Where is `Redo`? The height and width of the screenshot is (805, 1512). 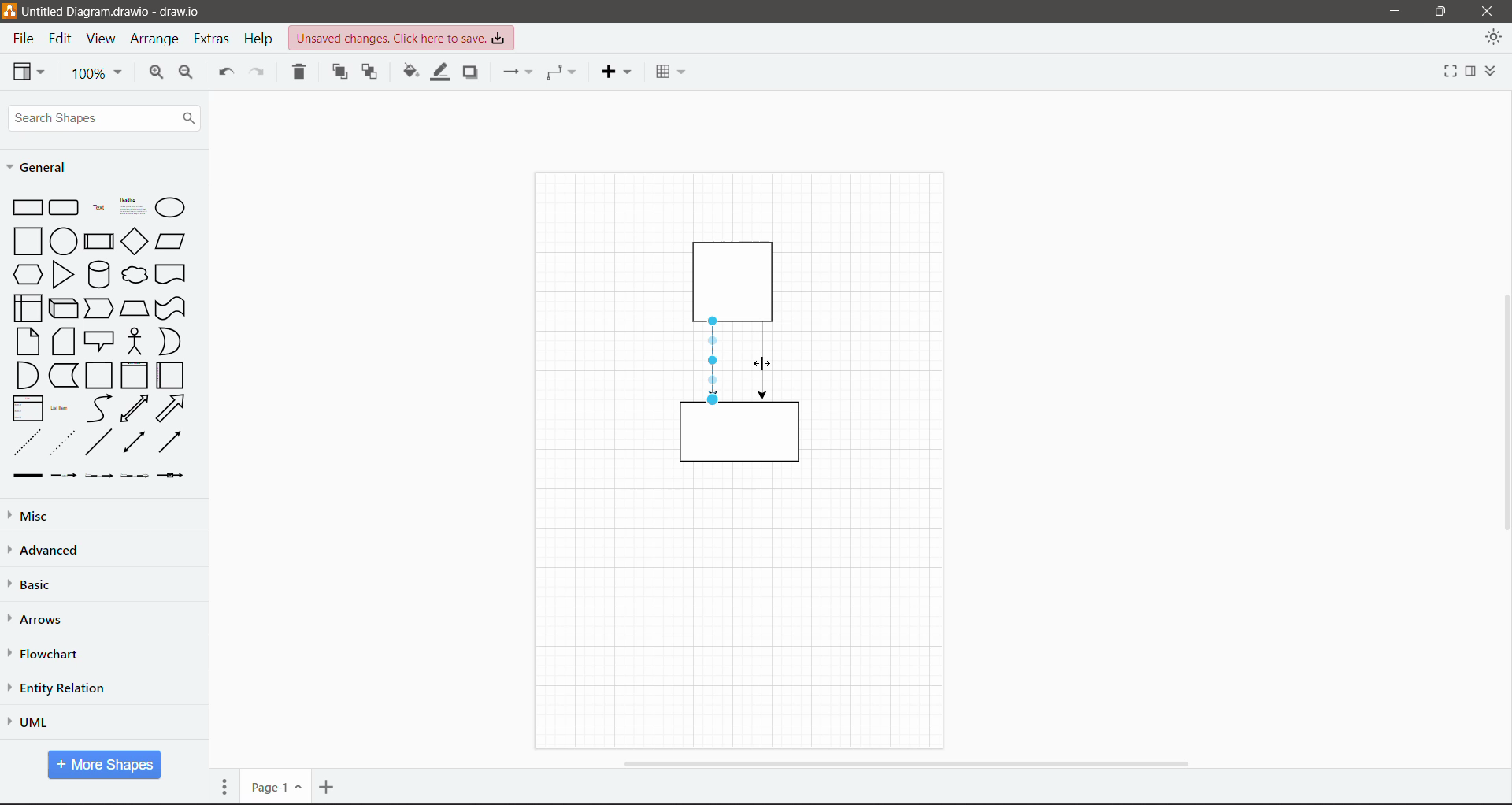
Redo is located at coordinates (260, 73).